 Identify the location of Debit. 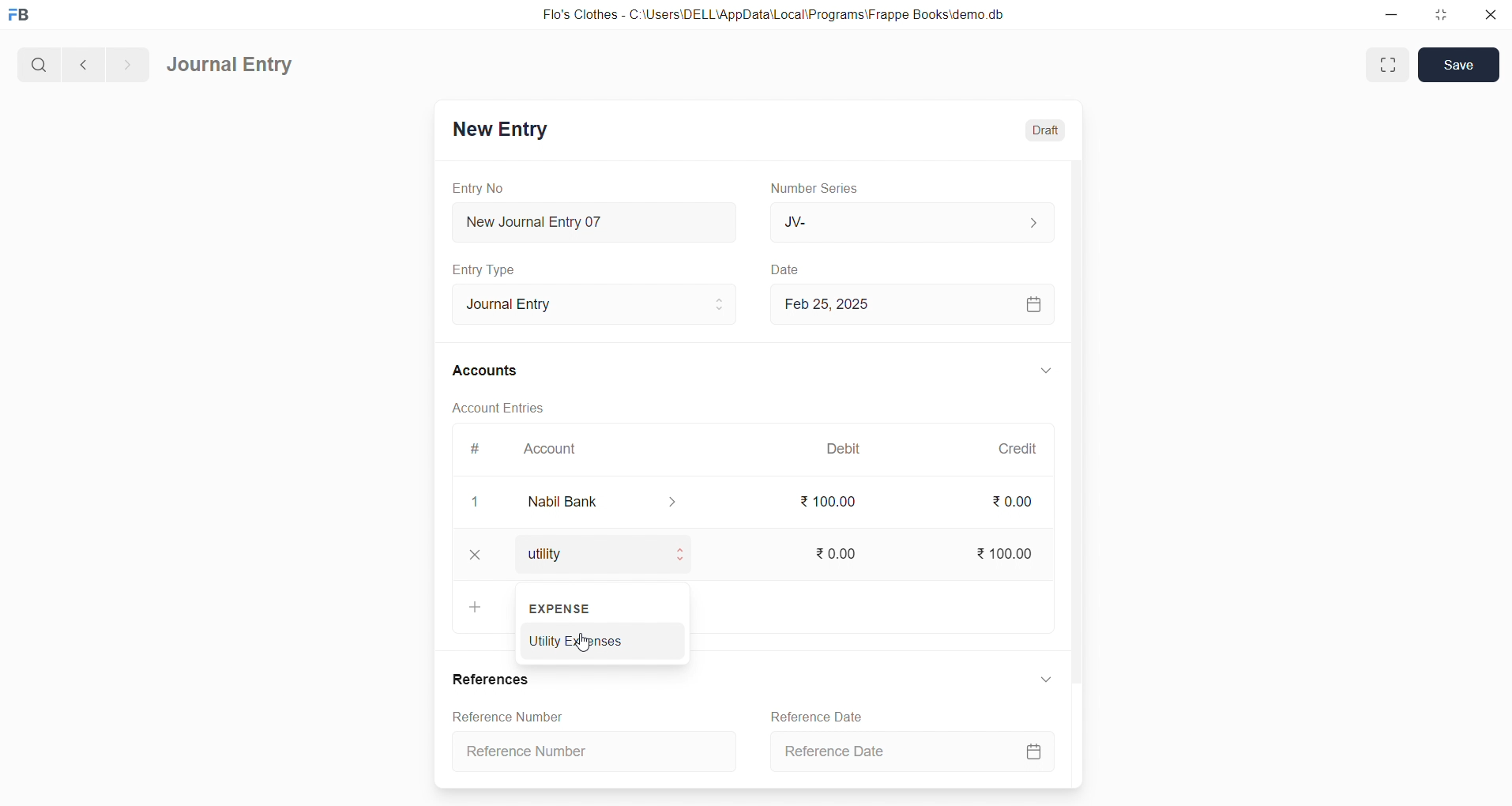
(844, 447).